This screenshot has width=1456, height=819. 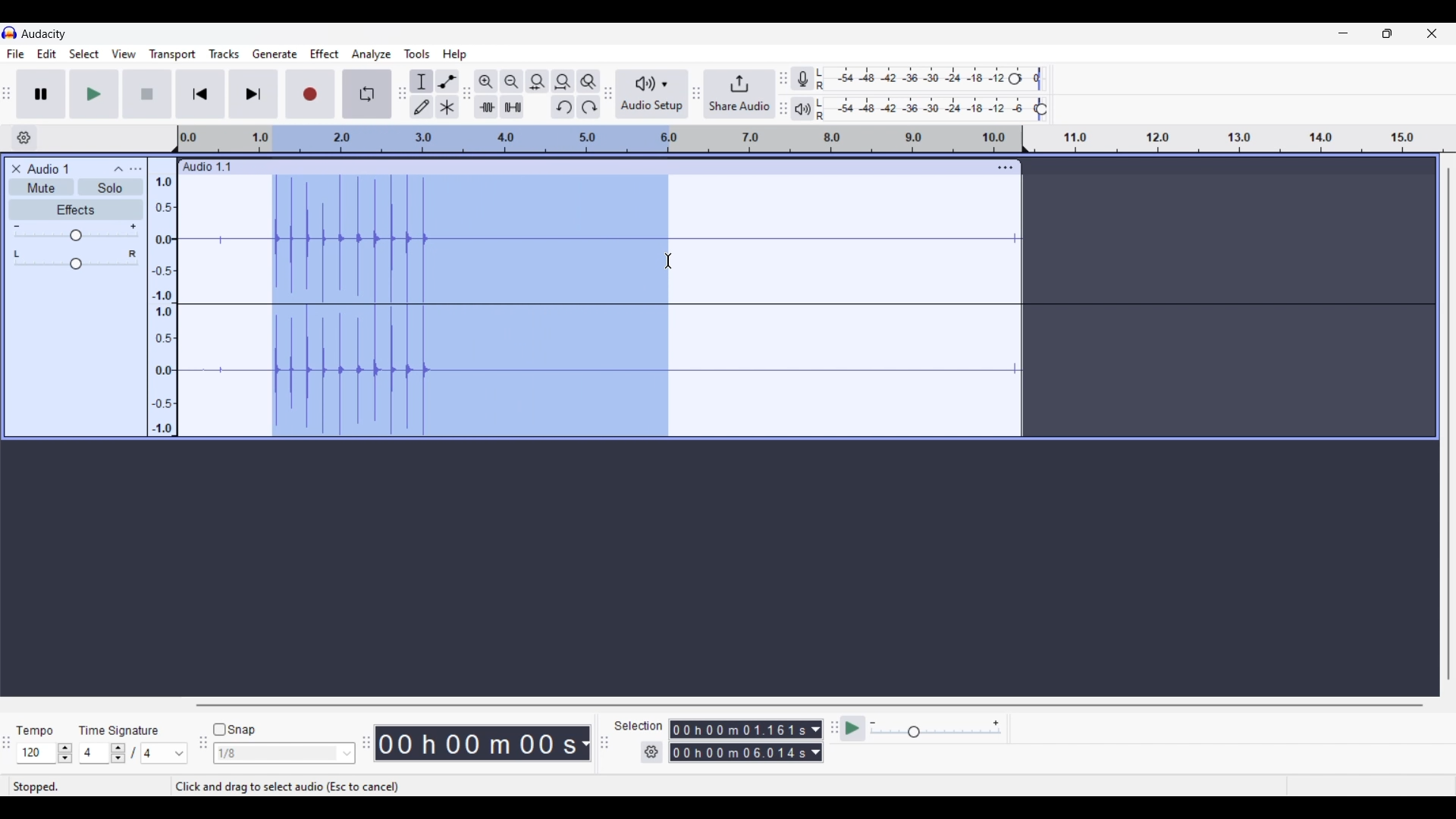 What do you see at coordinates (738, 741) in the screenshot?
I see `Selection duration` at bounding box center [738, 741].